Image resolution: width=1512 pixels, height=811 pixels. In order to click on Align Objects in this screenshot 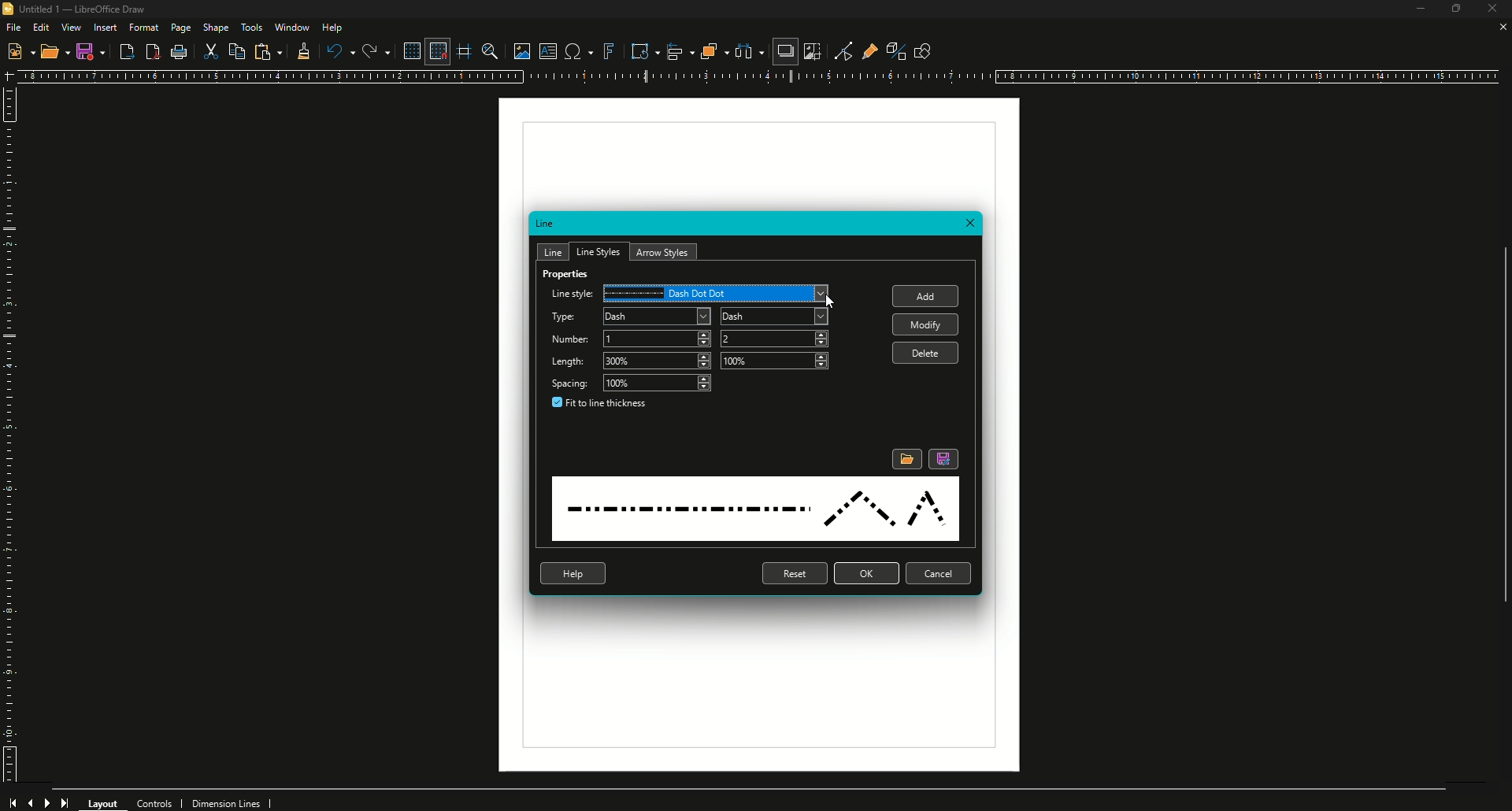, I will do `click(674, 51)`.